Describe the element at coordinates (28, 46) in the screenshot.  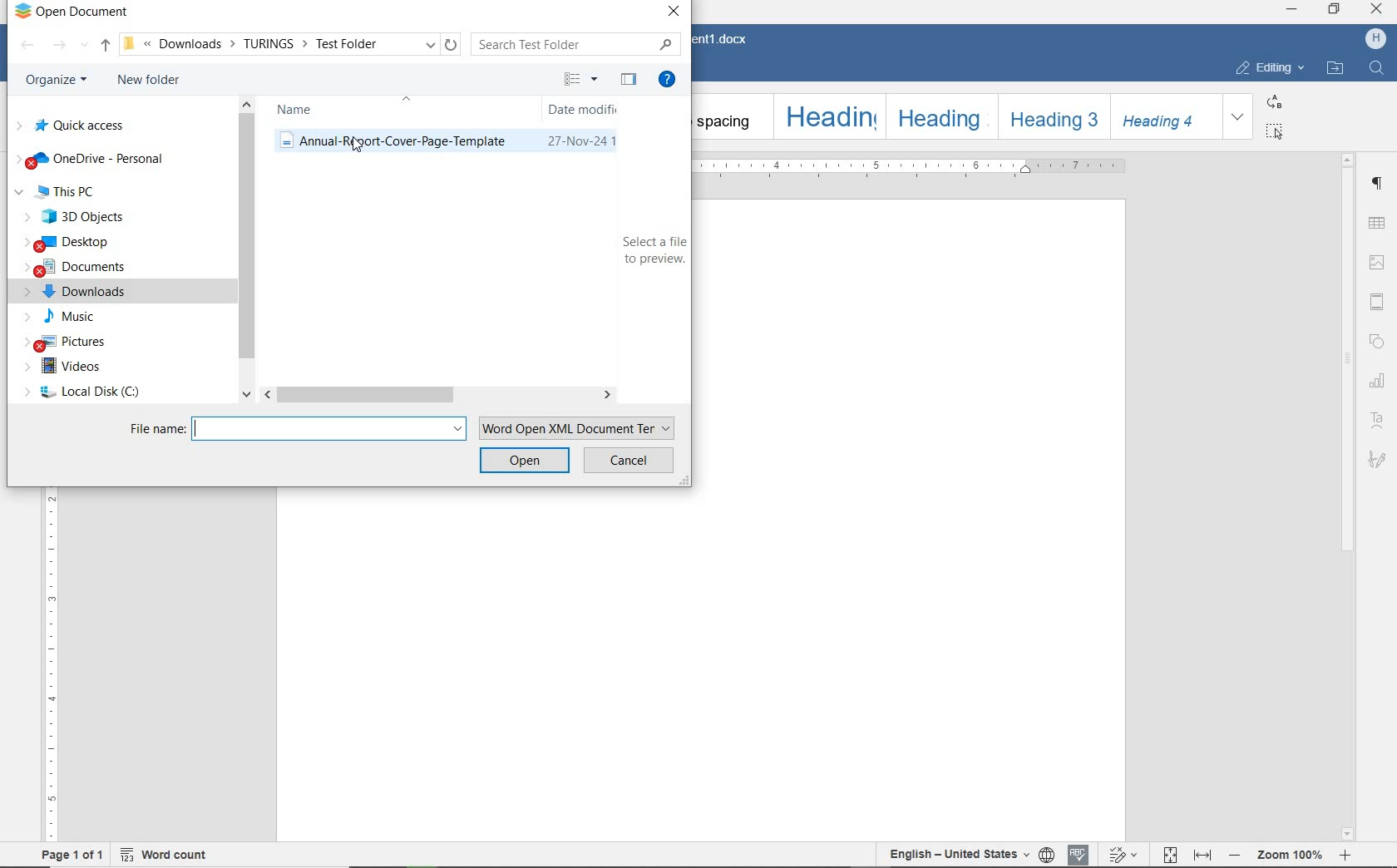
I see `back` at that location.